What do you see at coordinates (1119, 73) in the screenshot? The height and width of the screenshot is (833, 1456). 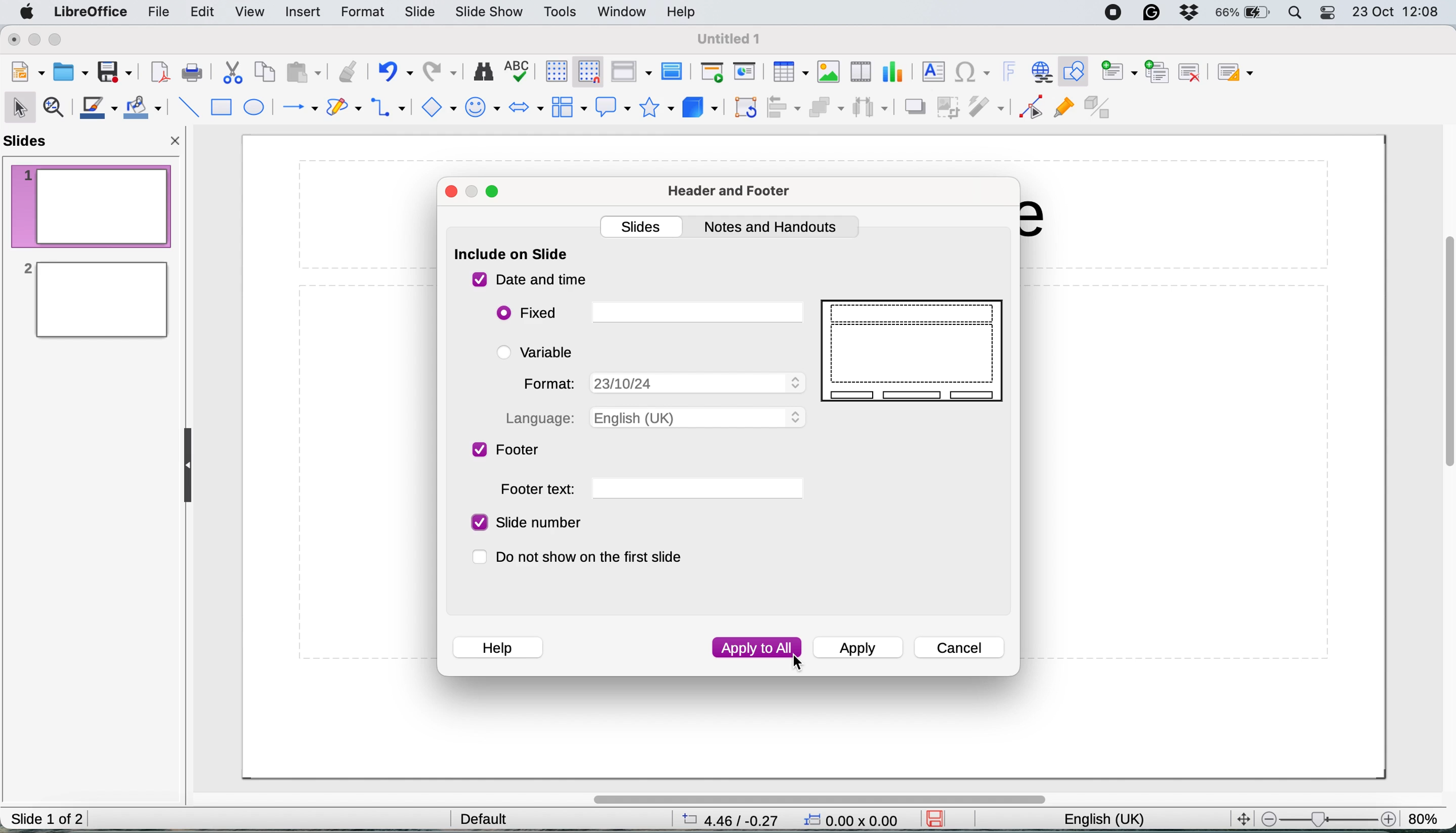 I see `new slide` at bounding box center [1119, 73].